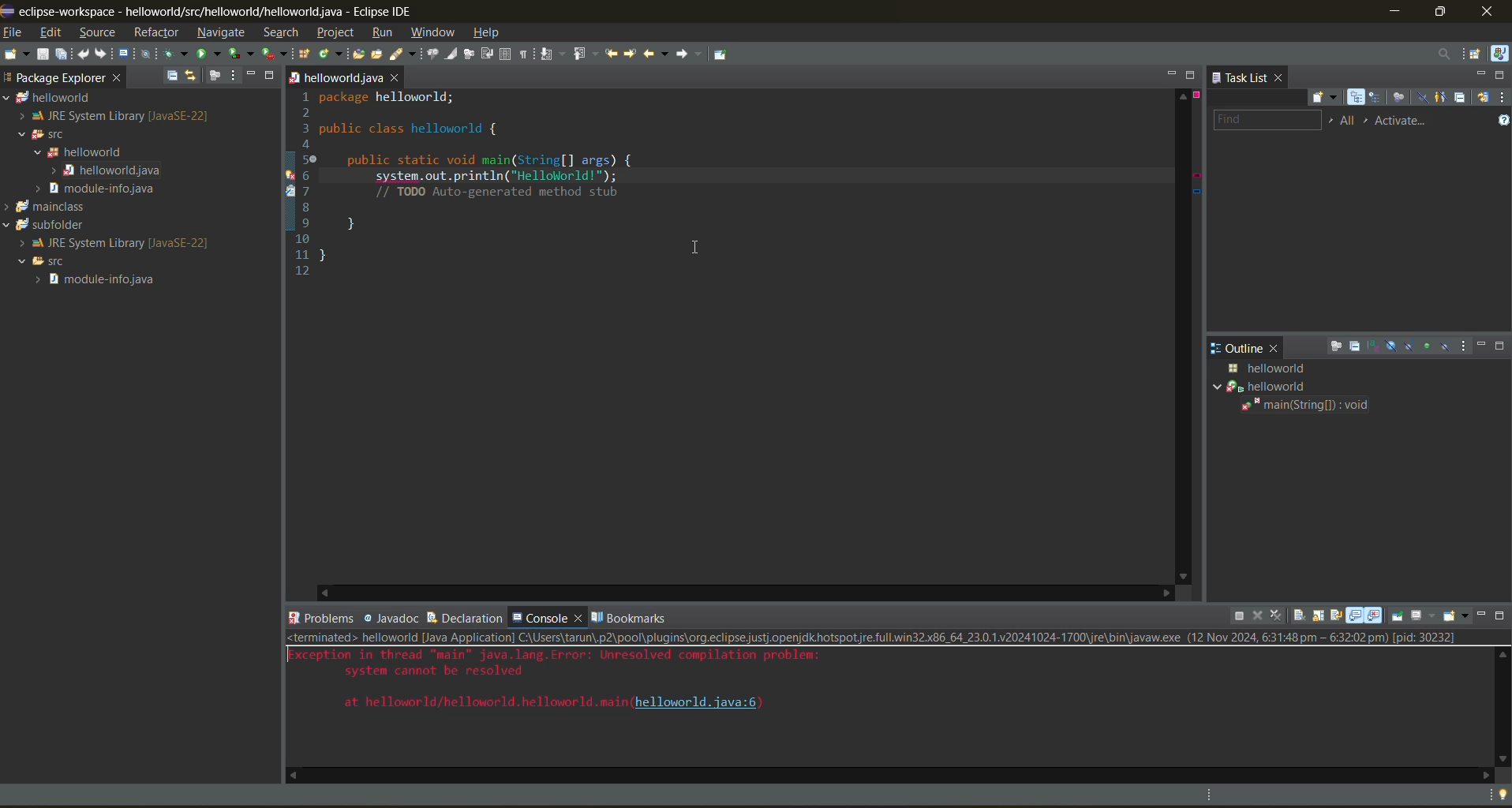 This screenshot has width=1512, height=808. Describe the element at coordinates (348, 77) in the screenshot. I see `helloworld` at that location.